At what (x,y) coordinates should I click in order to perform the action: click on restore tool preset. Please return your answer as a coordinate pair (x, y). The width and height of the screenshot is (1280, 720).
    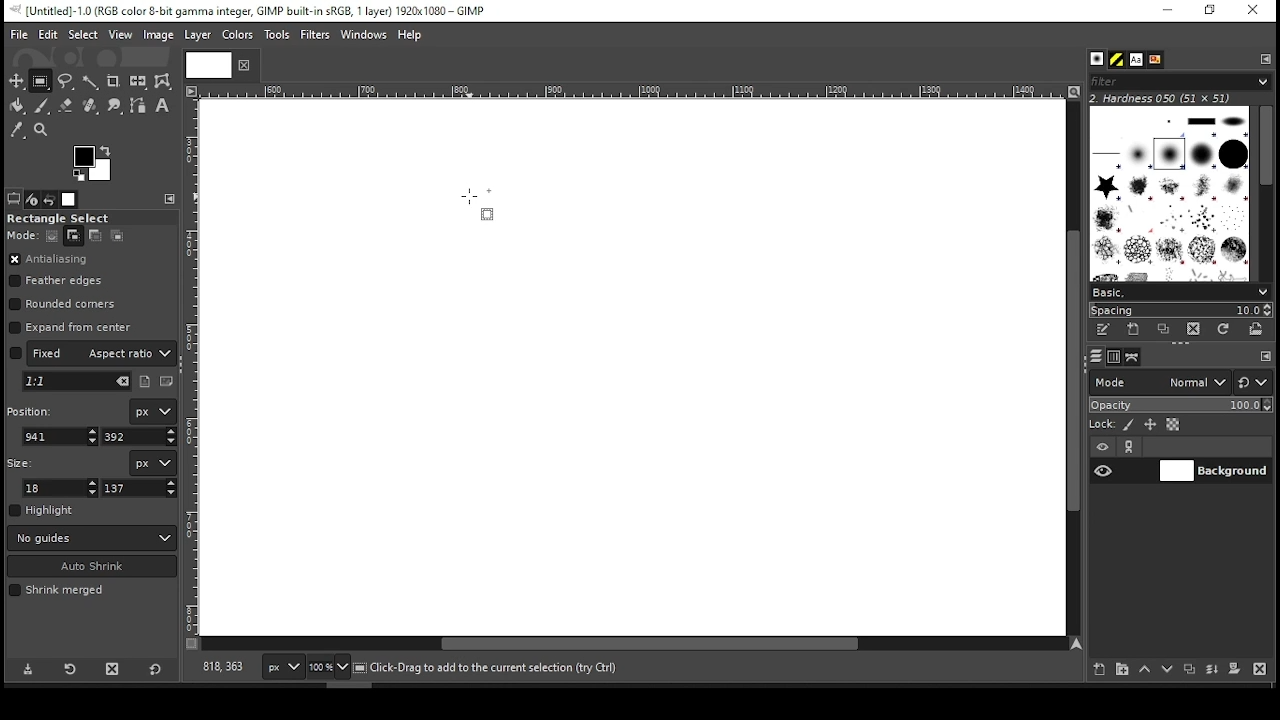
    Looking at the image, I should click on (72, 667).